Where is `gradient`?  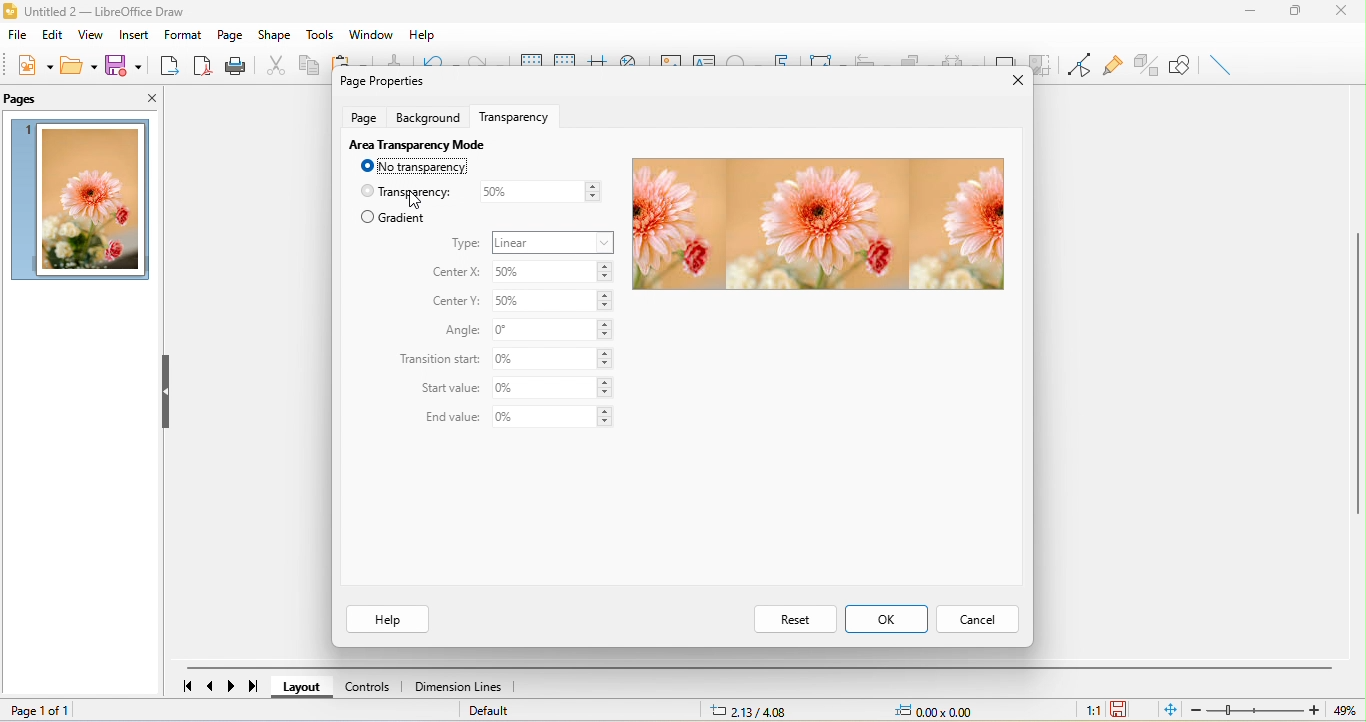
gradient is located at coordinates (393, 217).